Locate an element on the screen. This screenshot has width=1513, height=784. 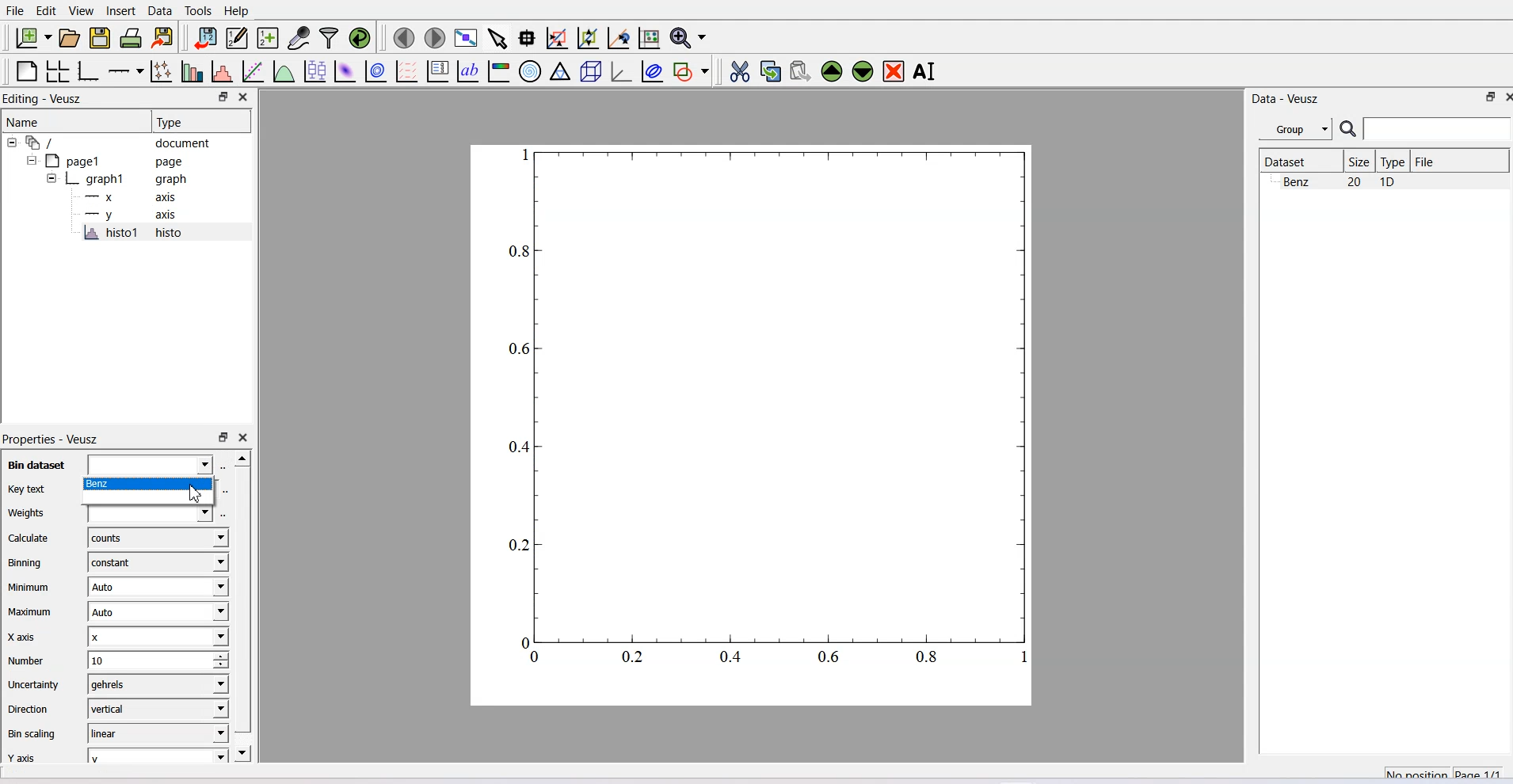
Export to graphics format is located at coordinates (163, 38).